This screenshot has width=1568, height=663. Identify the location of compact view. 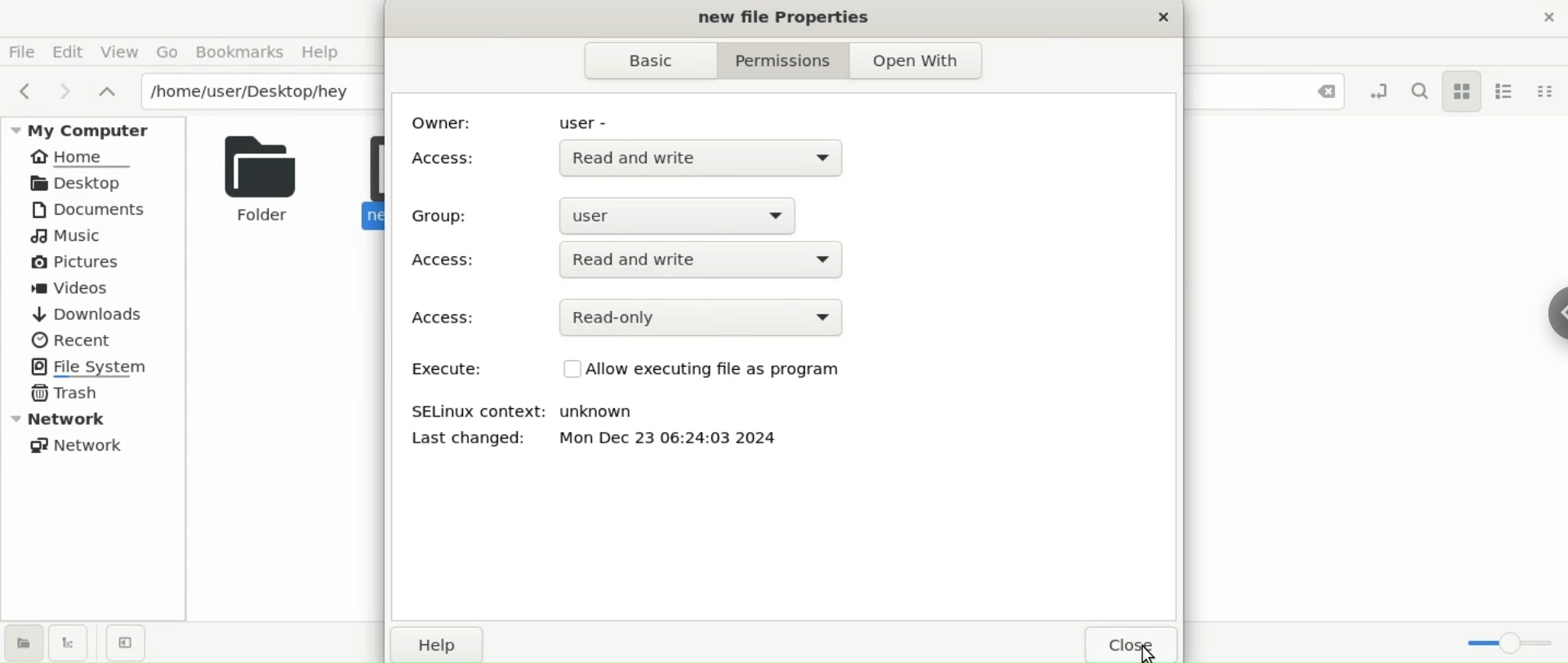
(1544, 86).